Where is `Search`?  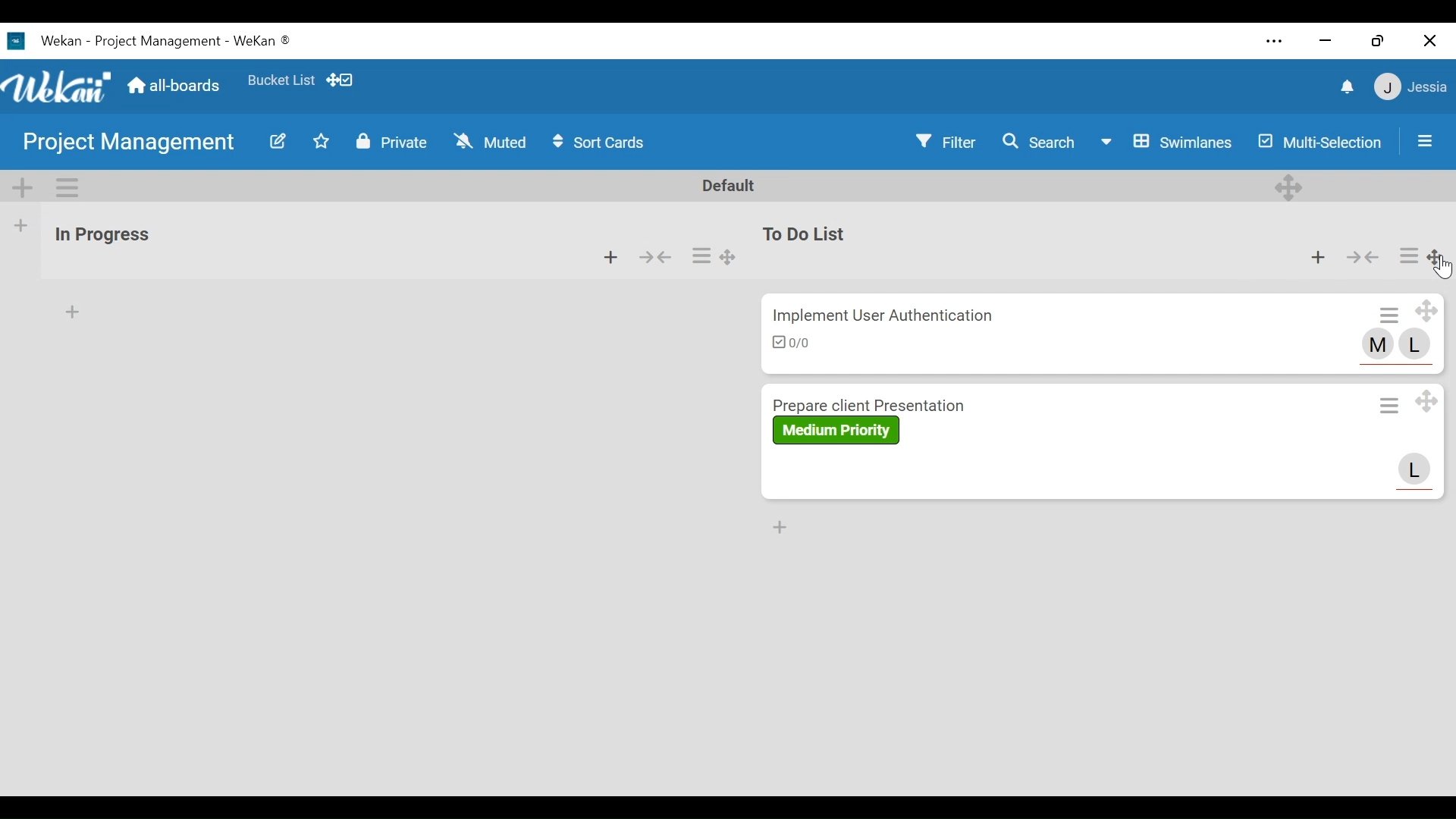
Search is located at coordinates (1039, 142).